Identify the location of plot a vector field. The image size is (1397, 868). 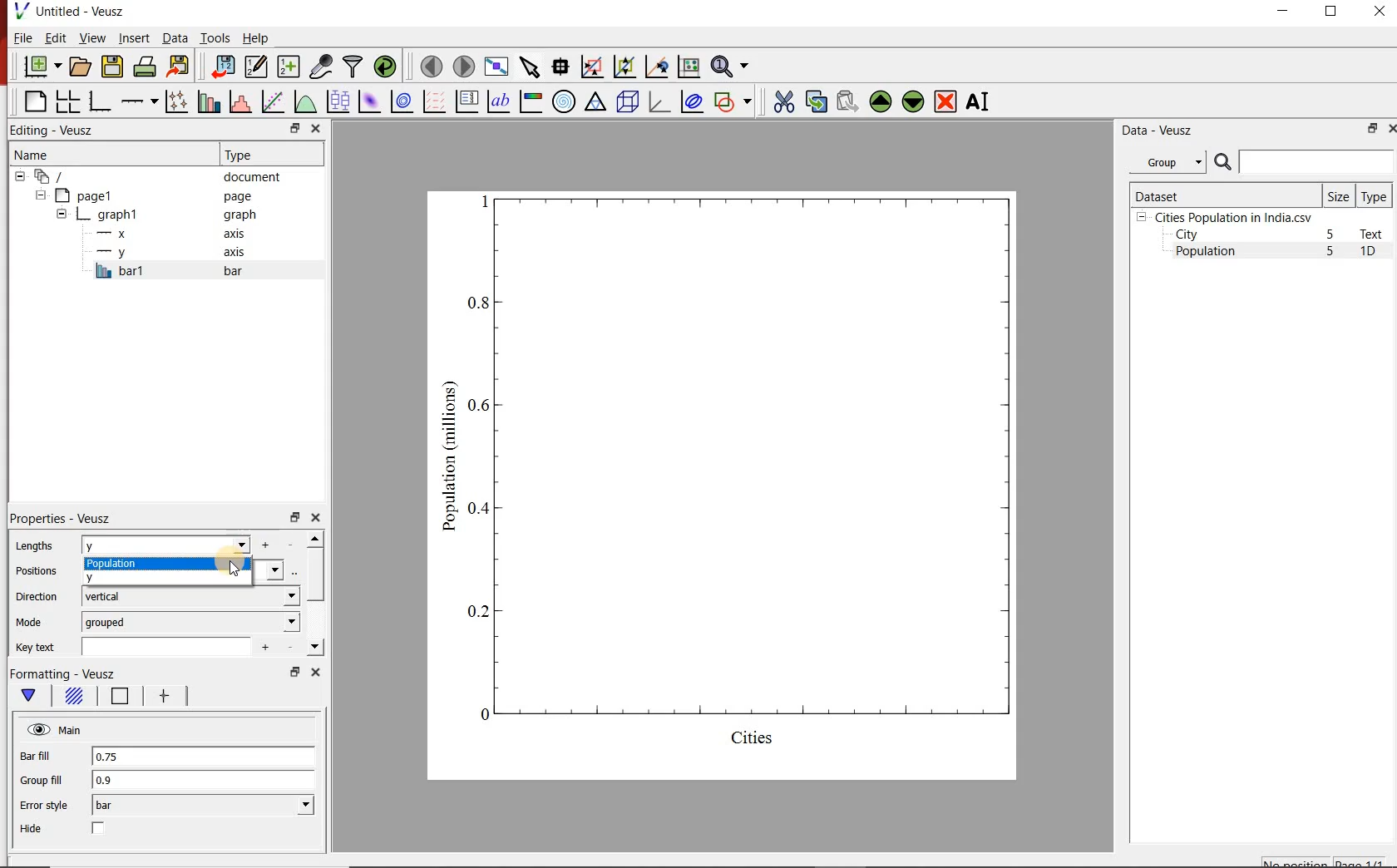
(432, 101).